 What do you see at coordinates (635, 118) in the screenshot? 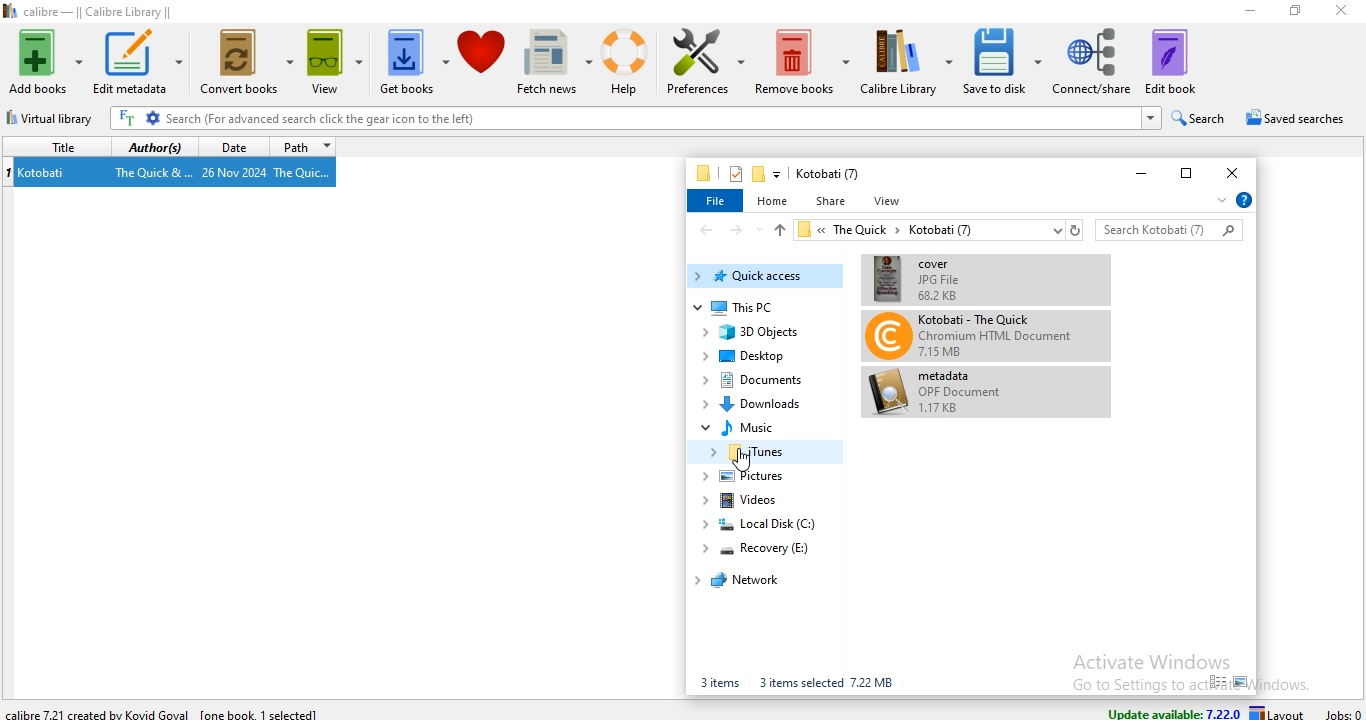
I see `Search (For advanced search click the gear icon to the left)` at bounding box center [635, 118].